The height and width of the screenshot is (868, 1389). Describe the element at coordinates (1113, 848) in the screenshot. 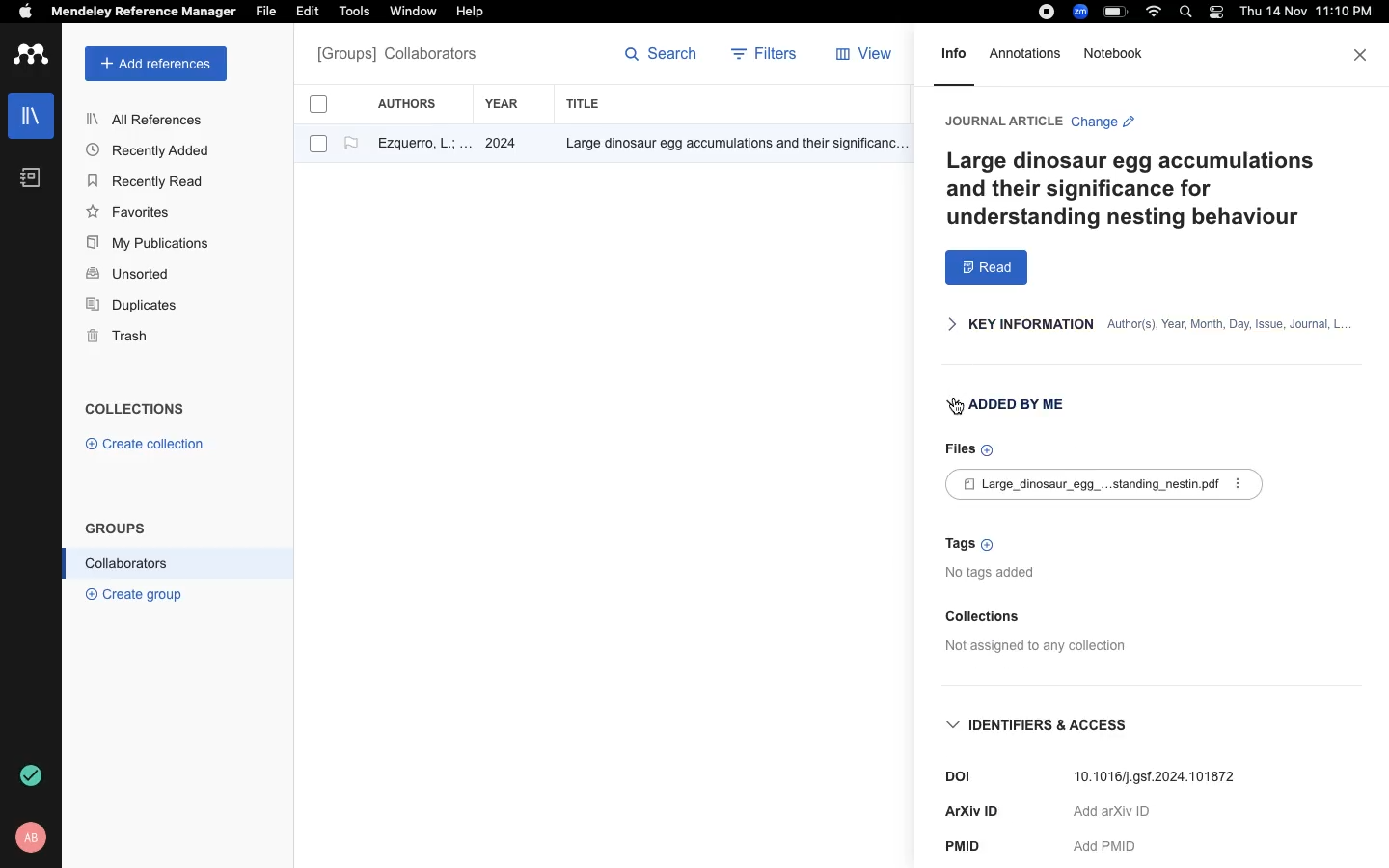

I see `Add PMID` at that location.